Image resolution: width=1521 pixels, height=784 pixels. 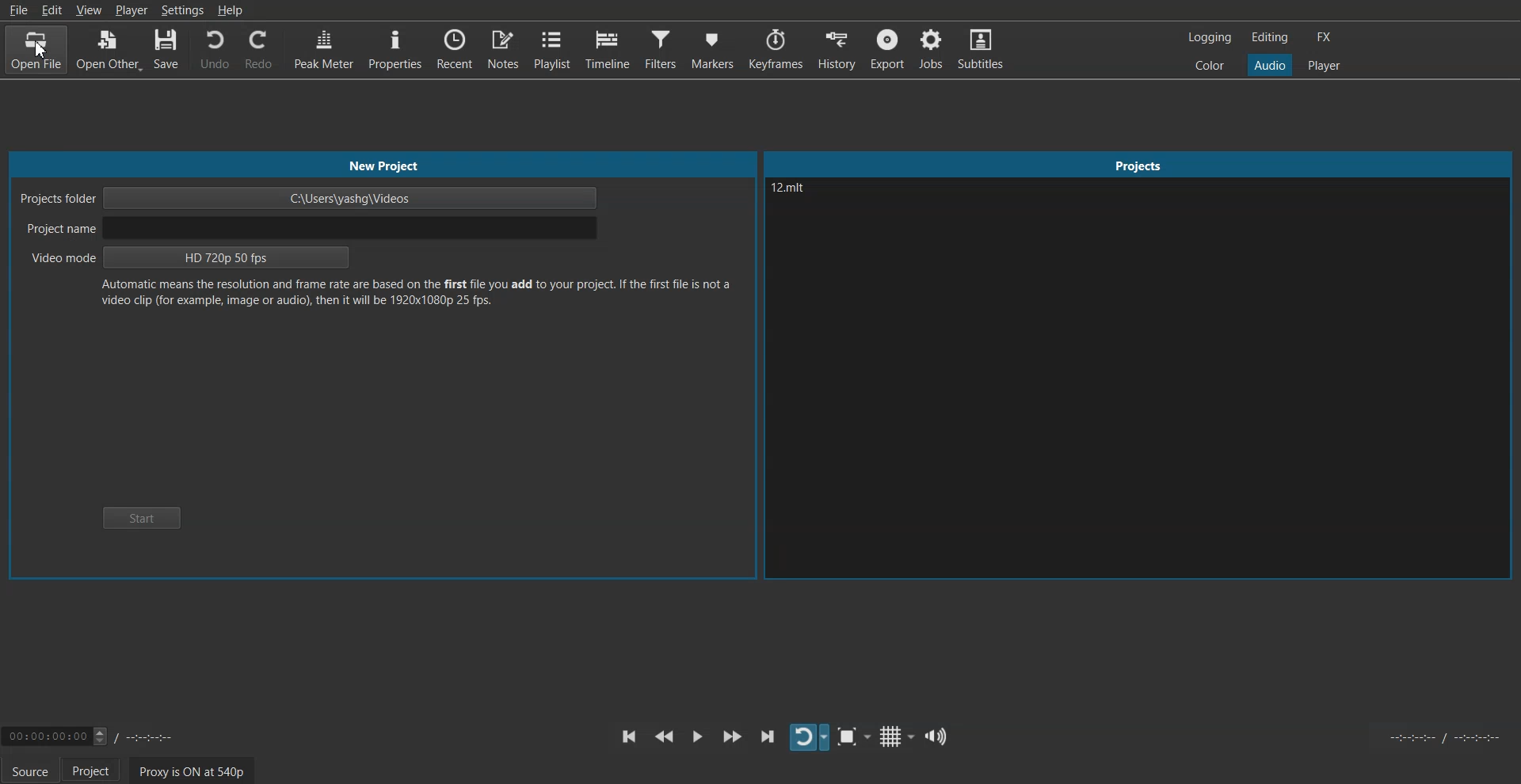 I want to click on Filter, so click(x=661, y=49).